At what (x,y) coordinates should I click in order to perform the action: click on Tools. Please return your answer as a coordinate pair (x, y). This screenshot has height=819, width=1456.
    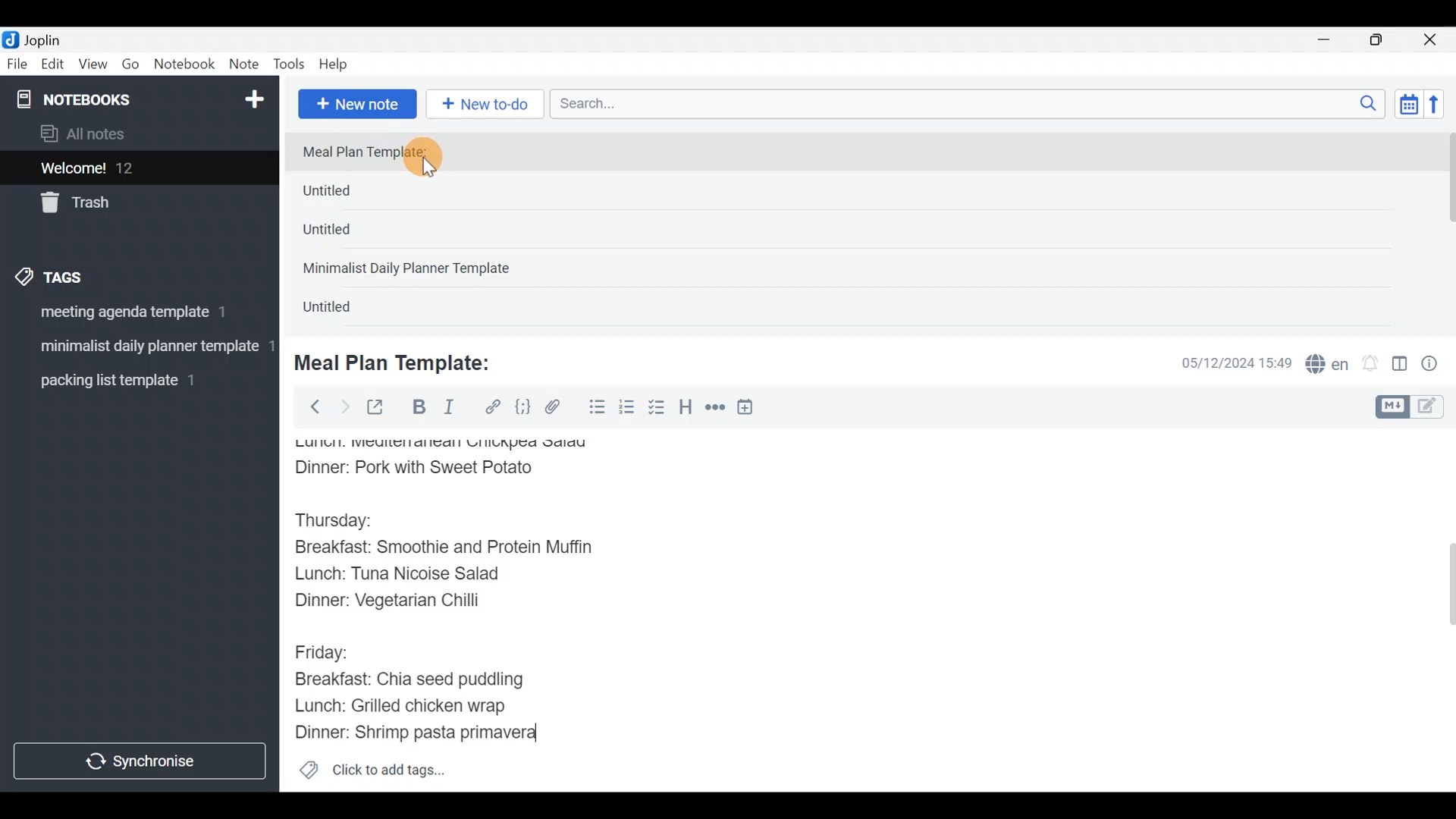
    Looking at the image, I should click on (290, 65).